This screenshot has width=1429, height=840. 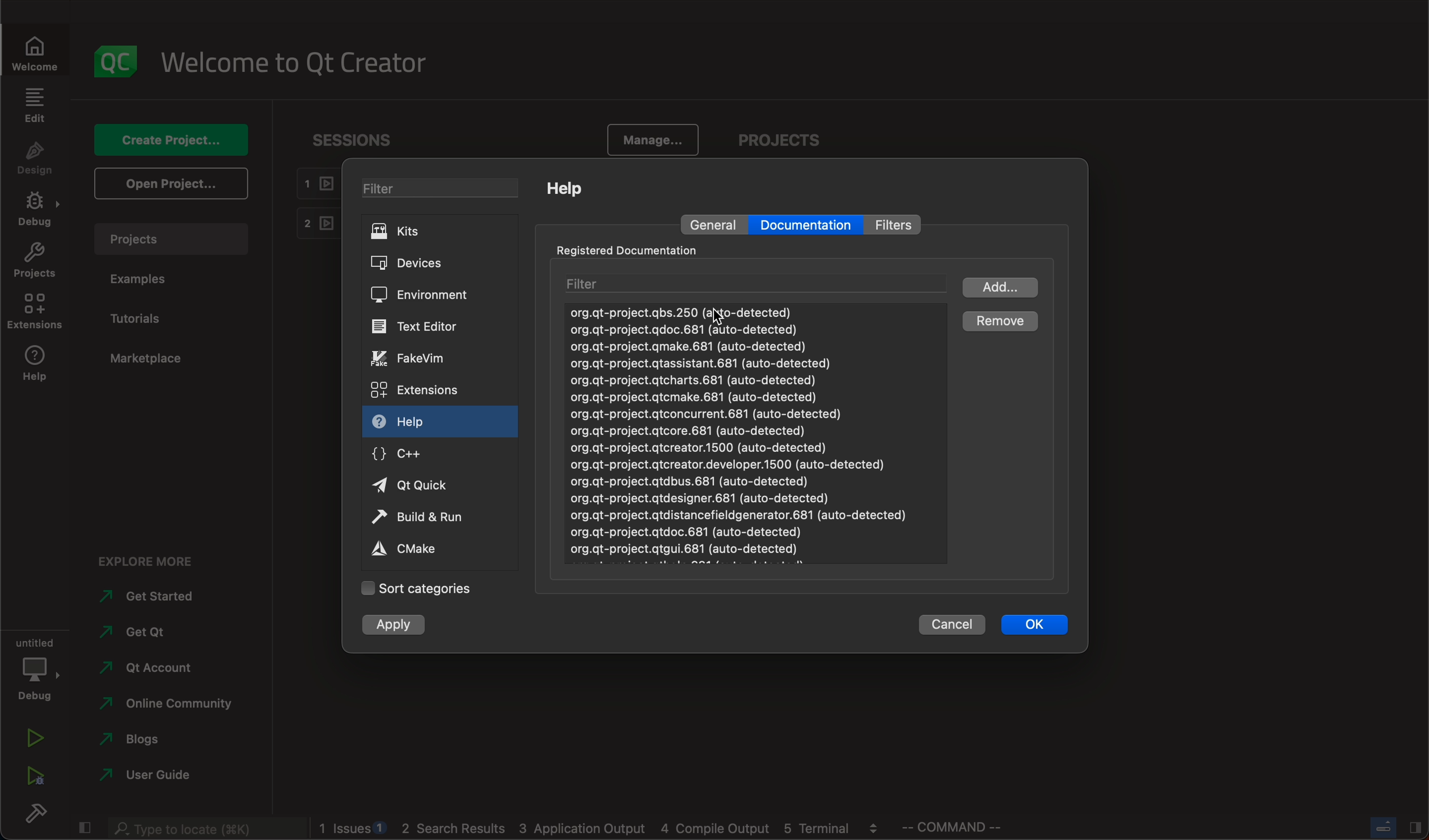 What do you see at coordinates (431, 294) in the screenshot?
I see `environment` at bounding box center [431, 294].